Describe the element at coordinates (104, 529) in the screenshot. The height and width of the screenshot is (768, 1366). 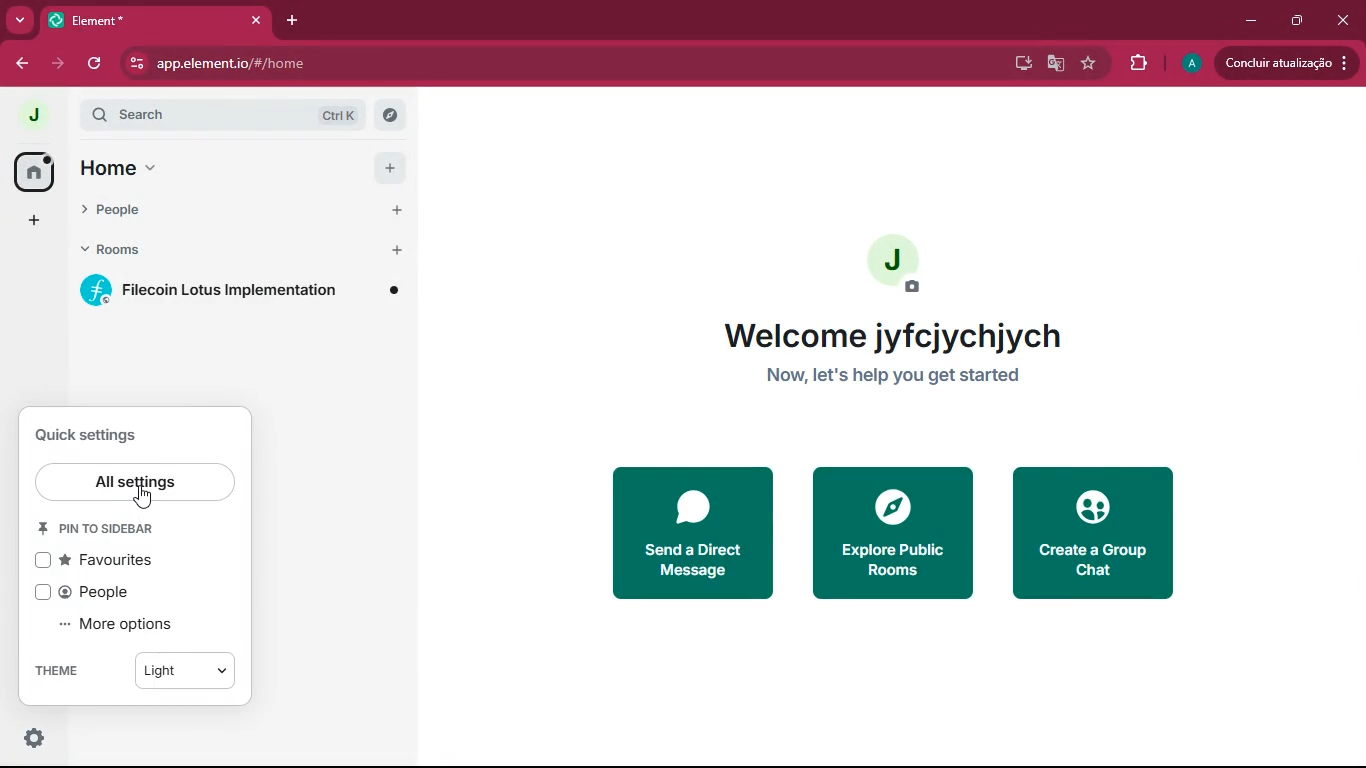
I see `pin to sidebar` at that location.